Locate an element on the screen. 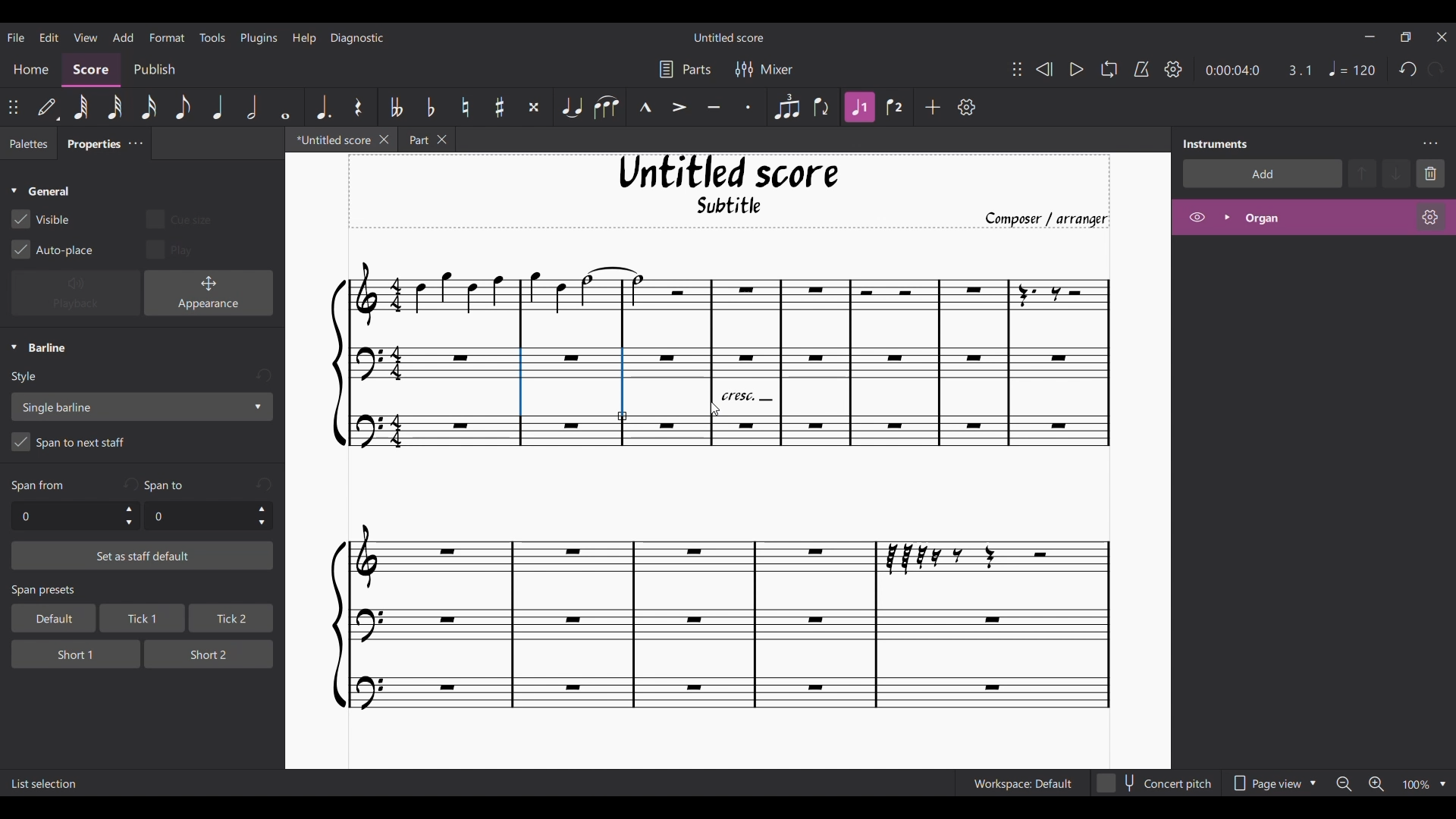 Image resolution: width=1456 pixels, height=819 pixels. Add instrument is located at coordinates (1263, 173).